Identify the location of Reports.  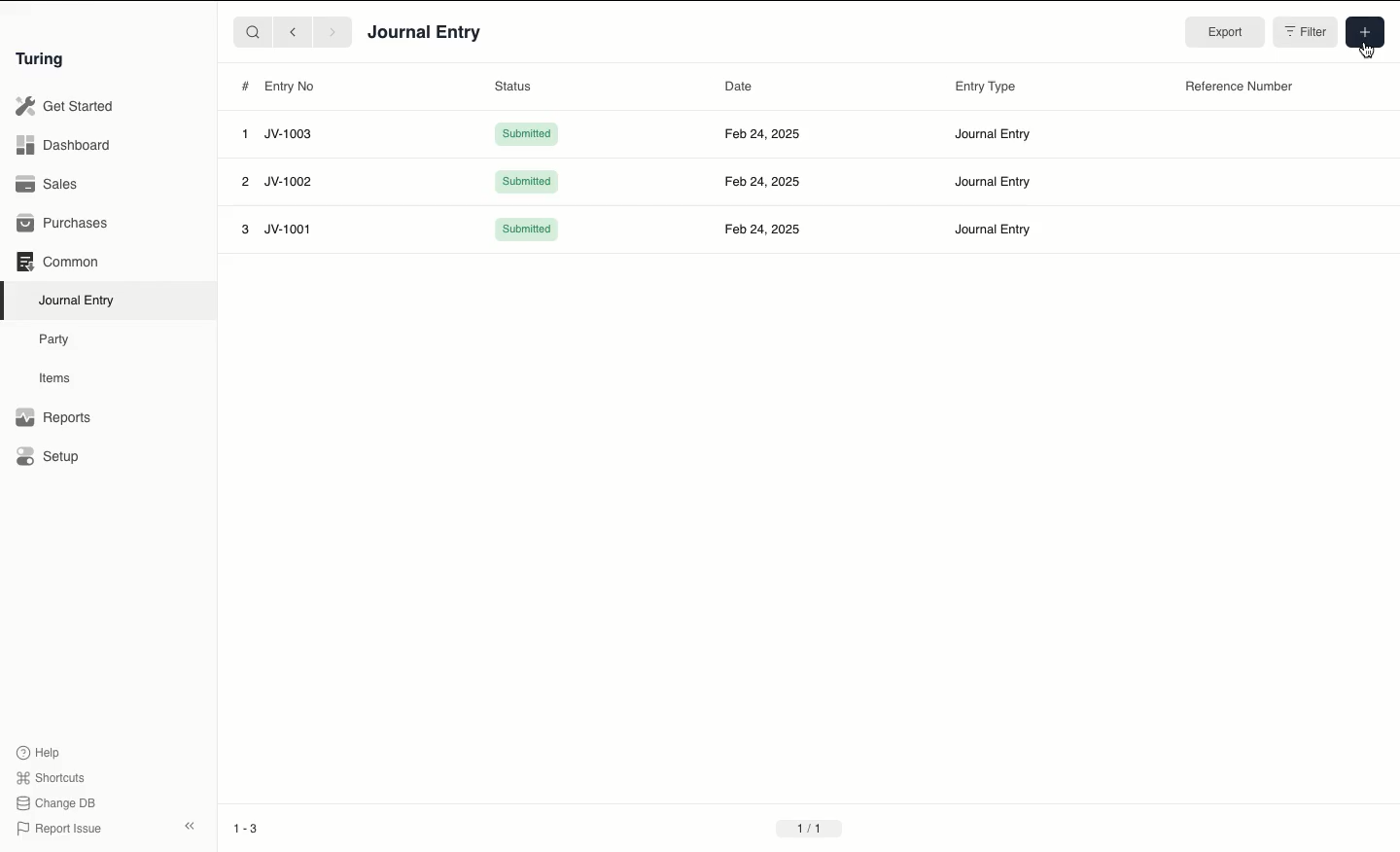
(53, 417).